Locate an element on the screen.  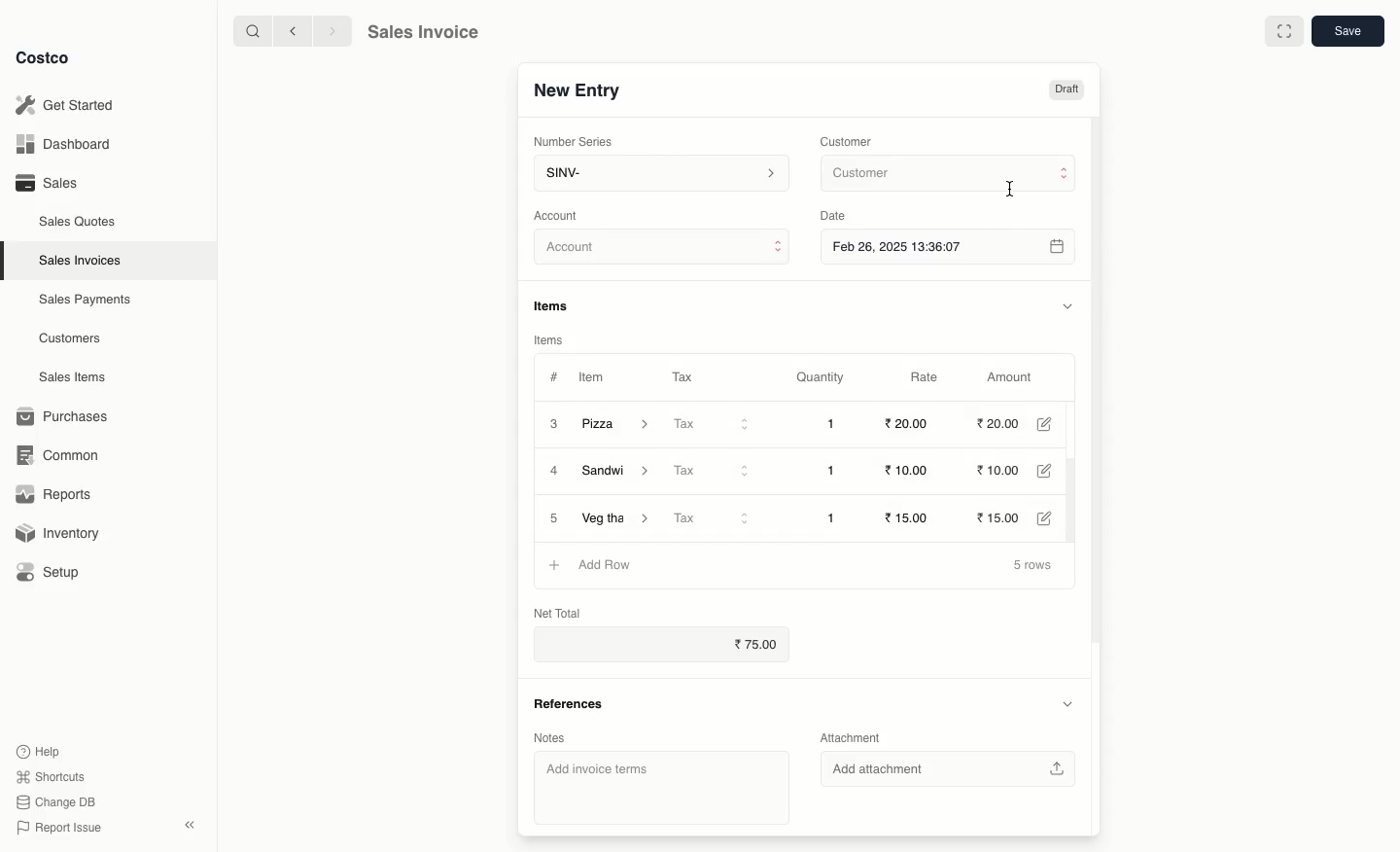
Edit is located at coordinates (1052, 424).